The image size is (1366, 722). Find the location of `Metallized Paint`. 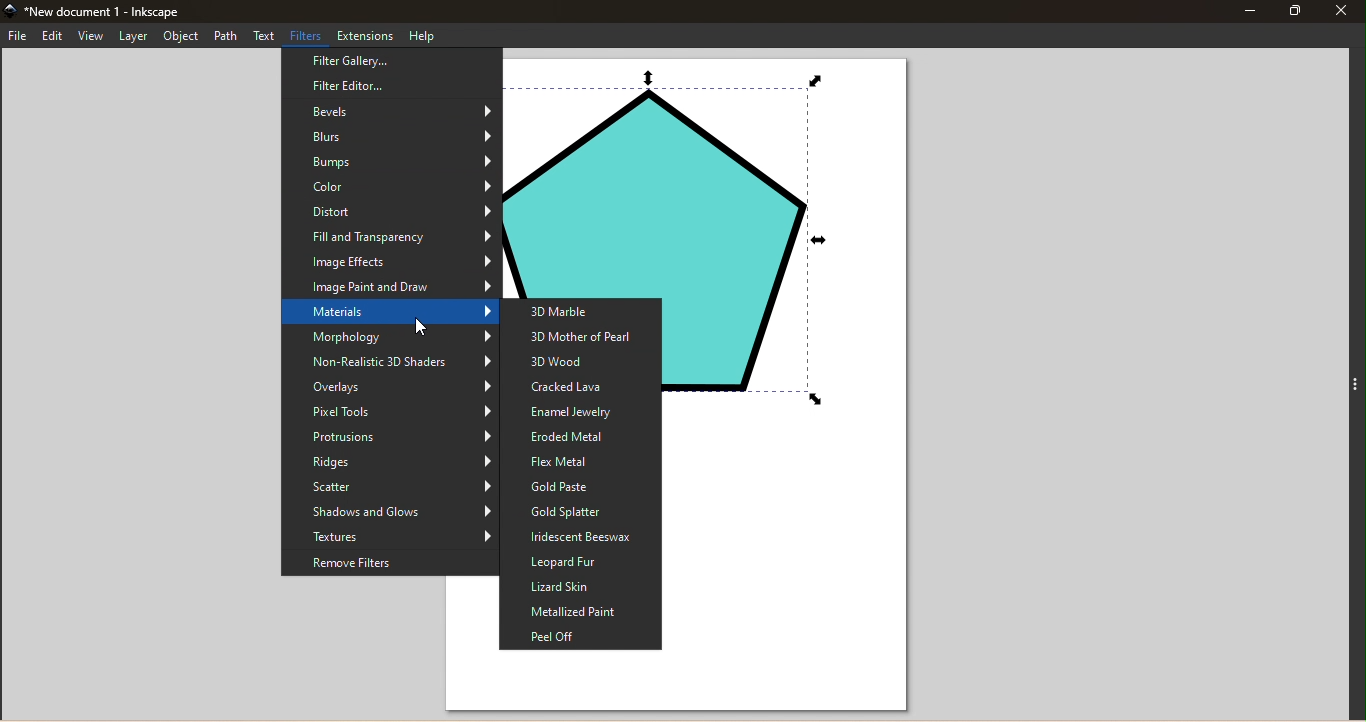

Metallized Paint is located at coordinates (582, 612).